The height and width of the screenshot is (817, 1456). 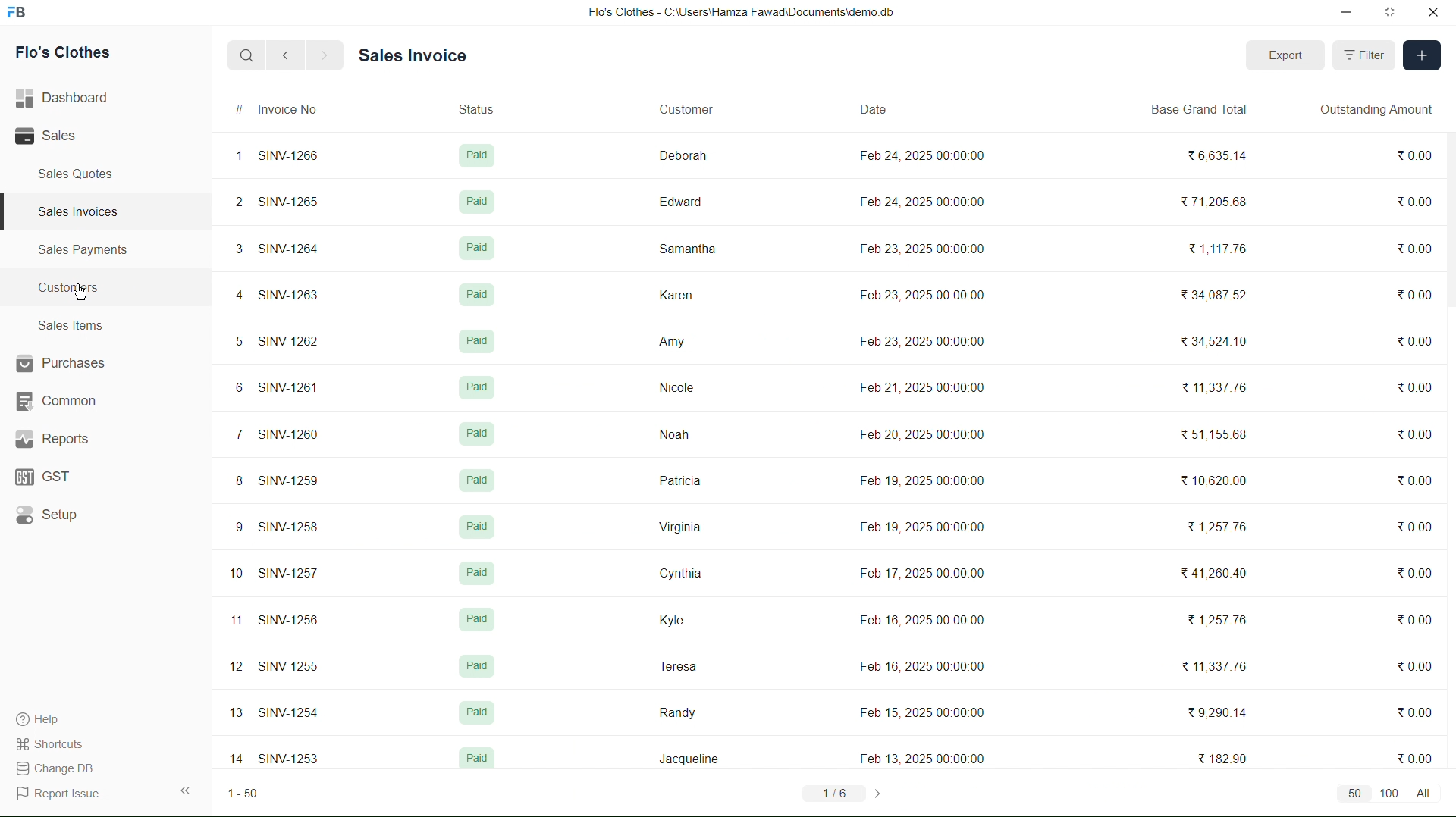 What do you see at coordinates (478, 712) in the screenshot?
I see `Paid` at bounding box center [478, 712].